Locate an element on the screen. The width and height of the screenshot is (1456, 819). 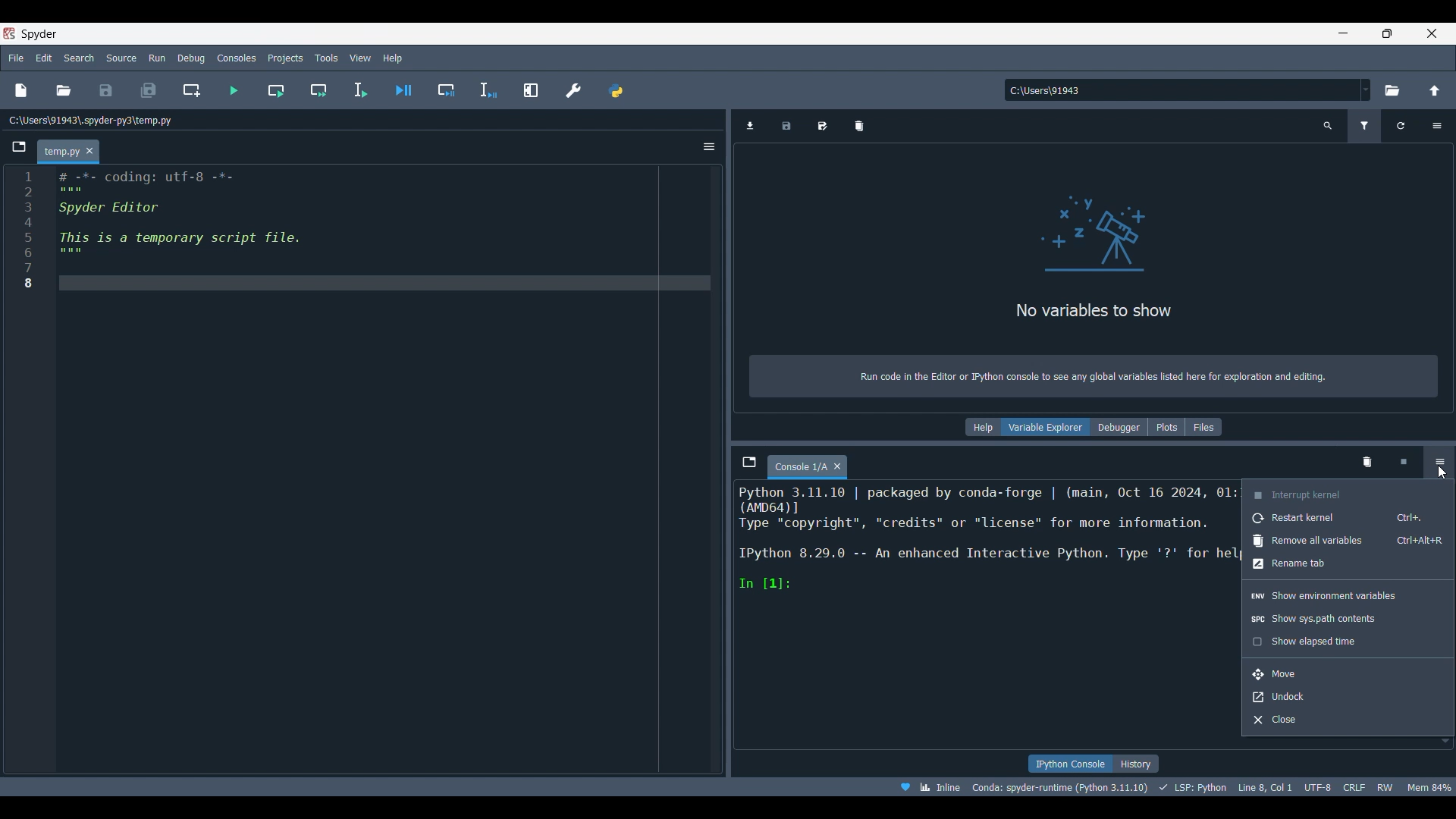
Close interface is located at coordinates (1432, 33).